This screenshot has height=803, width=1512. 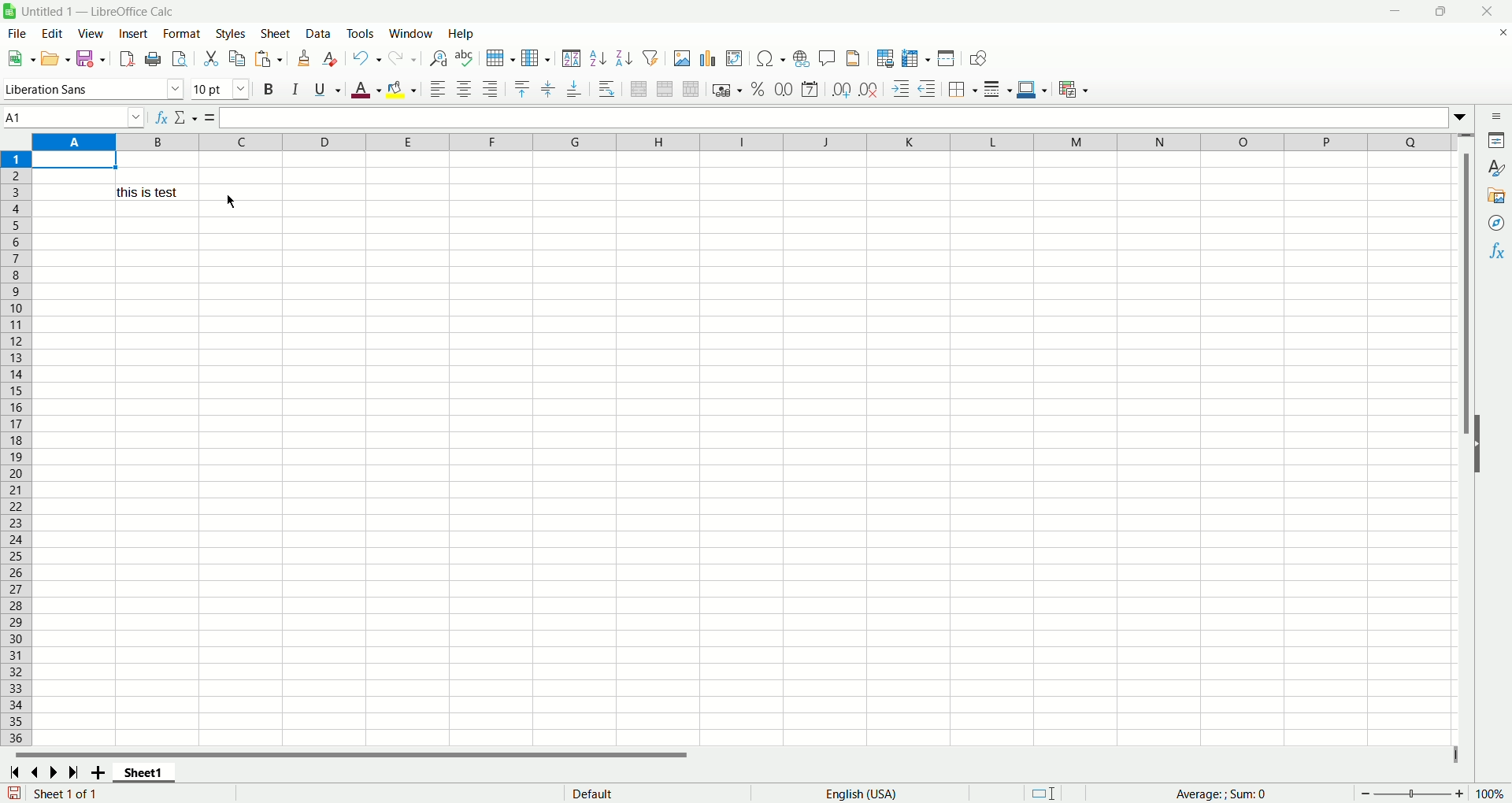 I want to click on sheet name, so click(x=144, y=773).